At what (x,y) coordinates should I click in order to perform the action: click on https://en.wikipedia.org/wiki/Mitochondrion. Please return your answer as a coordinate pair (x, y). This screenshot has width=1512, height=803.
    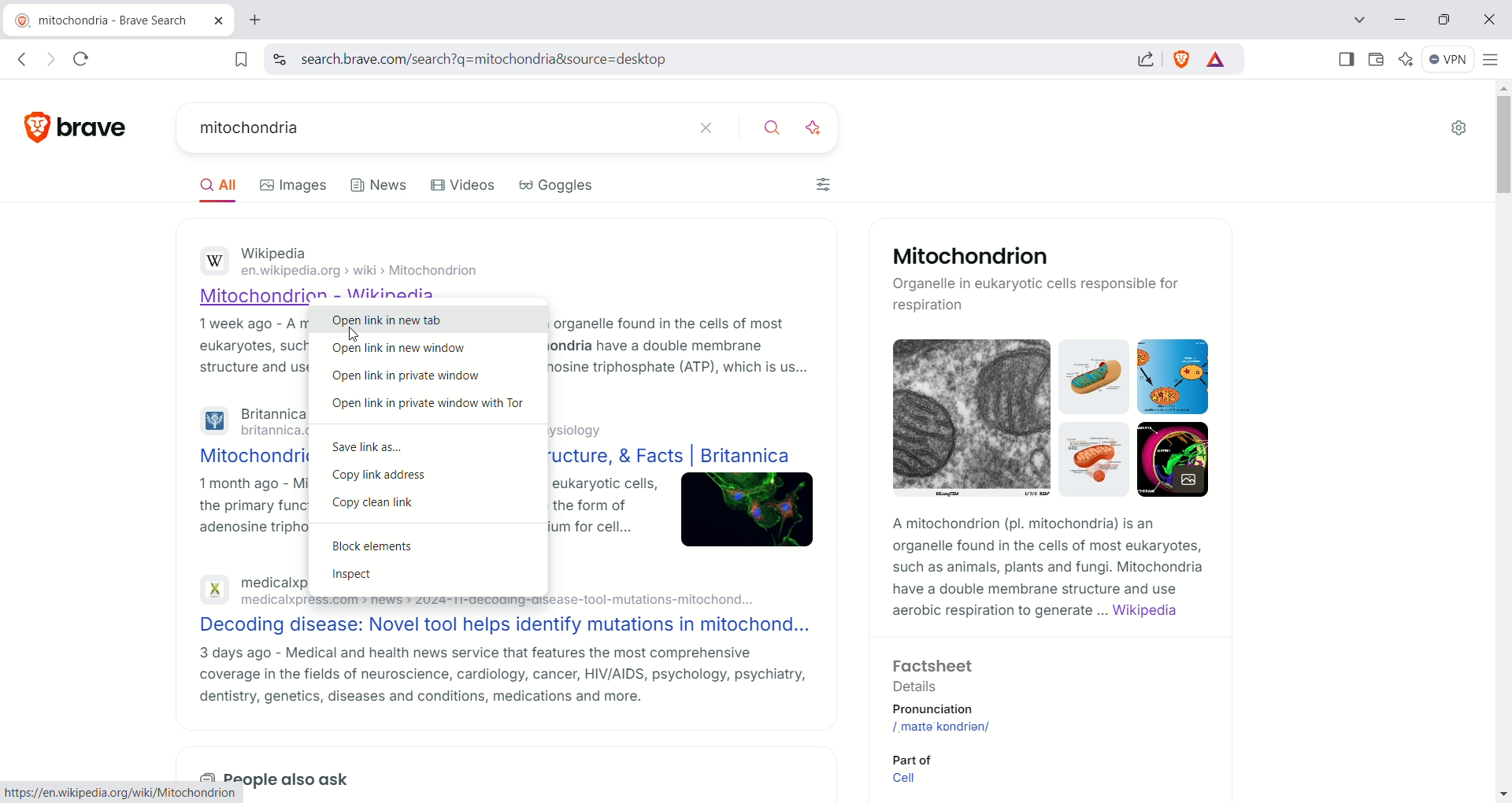
    Looking at the image, I should click on (120, 792).